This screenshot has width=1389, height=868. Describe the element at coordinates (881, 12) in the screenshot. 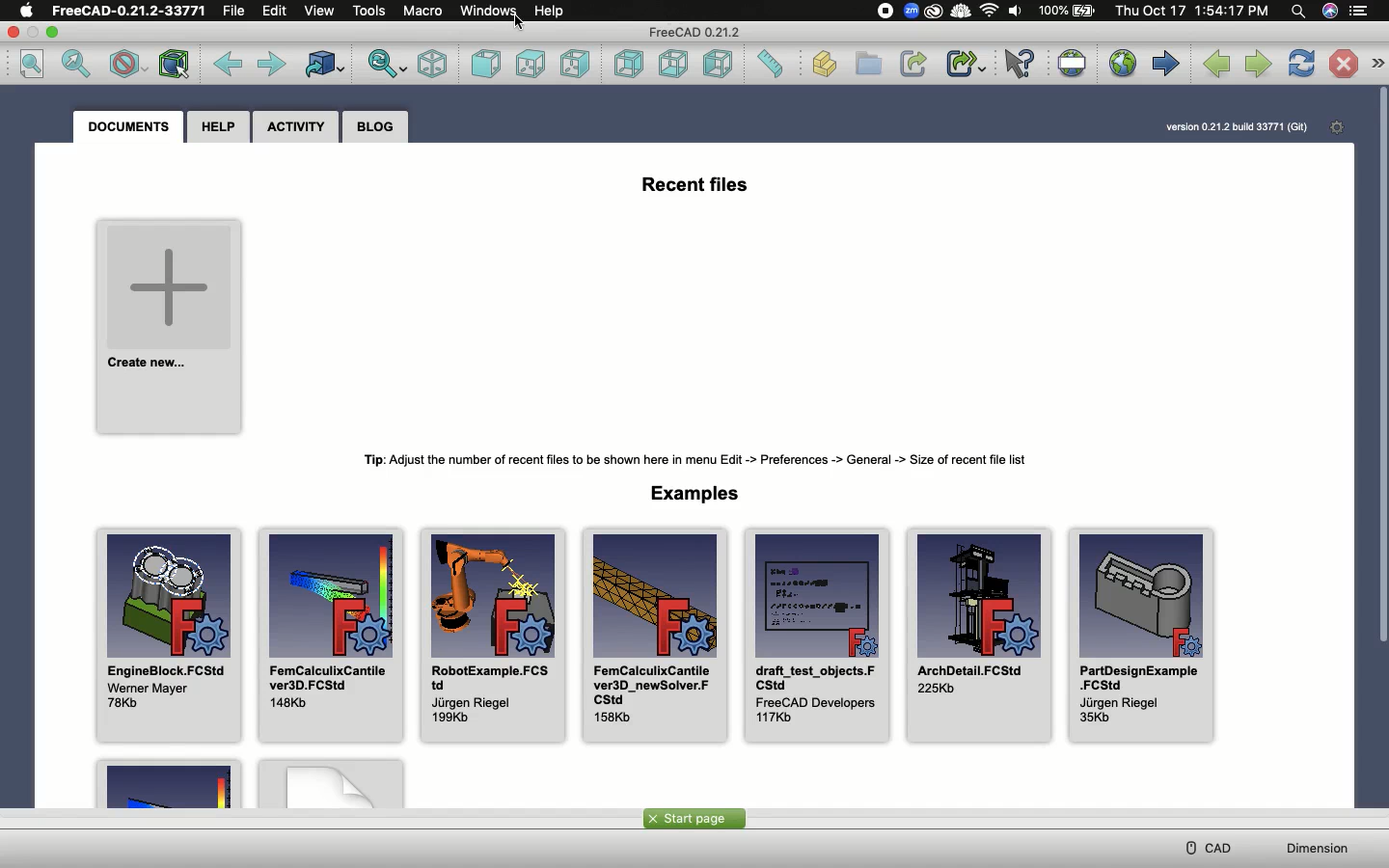

I see `Recording` at that location.